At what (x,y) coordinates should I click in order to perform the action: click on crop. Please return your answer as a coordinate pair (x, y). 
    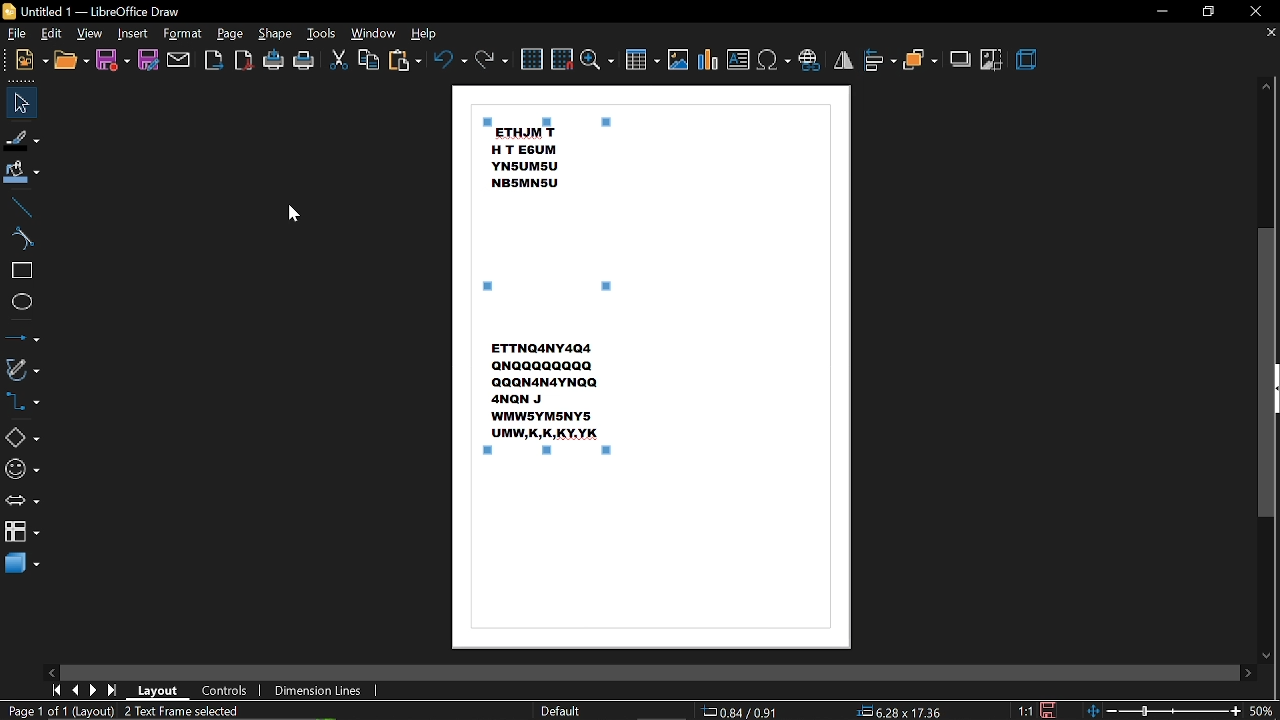
    Looking at the image, I should click on (992, 60).